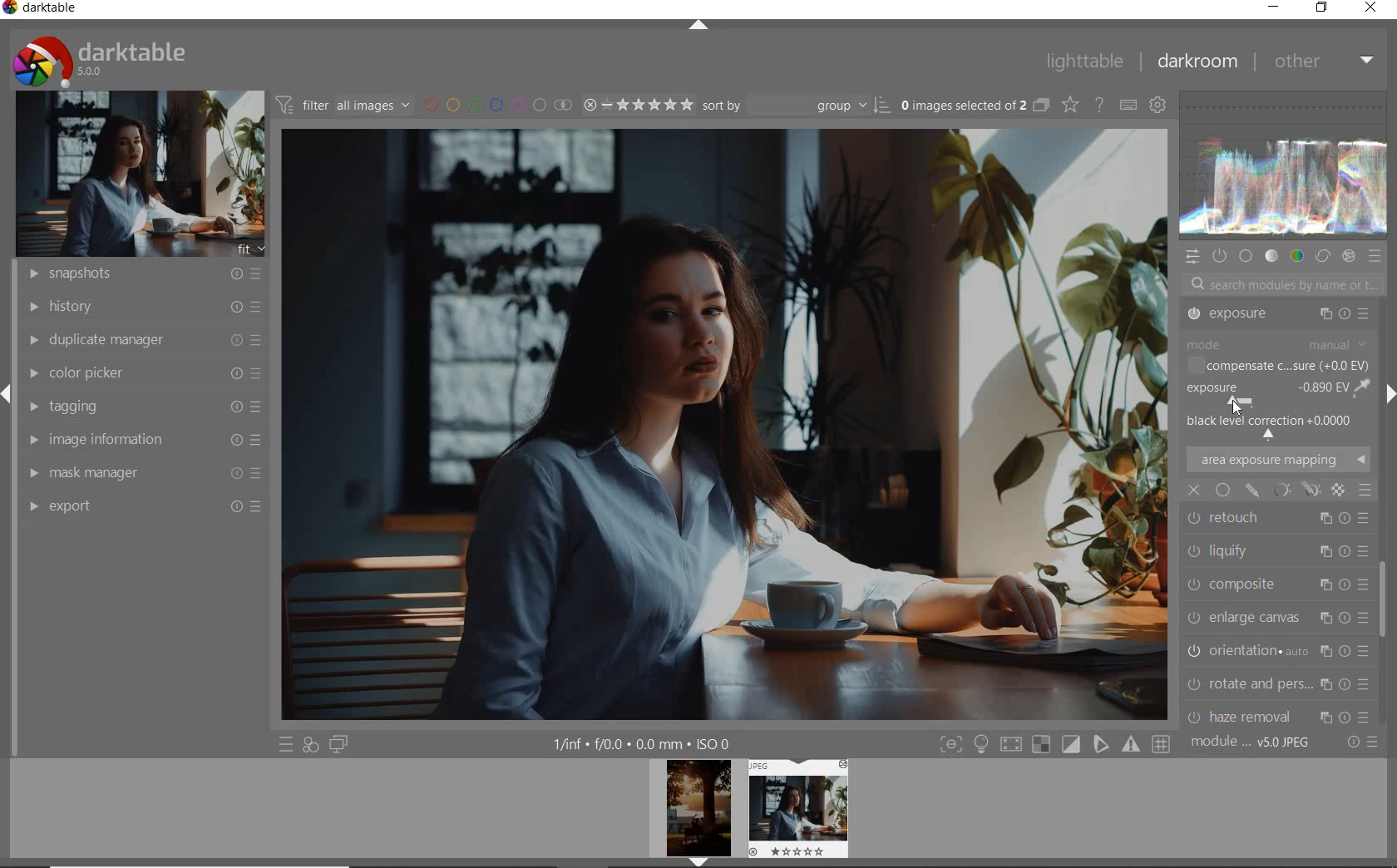 The width and height of the screenshot is (1397, 868). I want to click on SELECTED IMAGES, so click(960, 106).